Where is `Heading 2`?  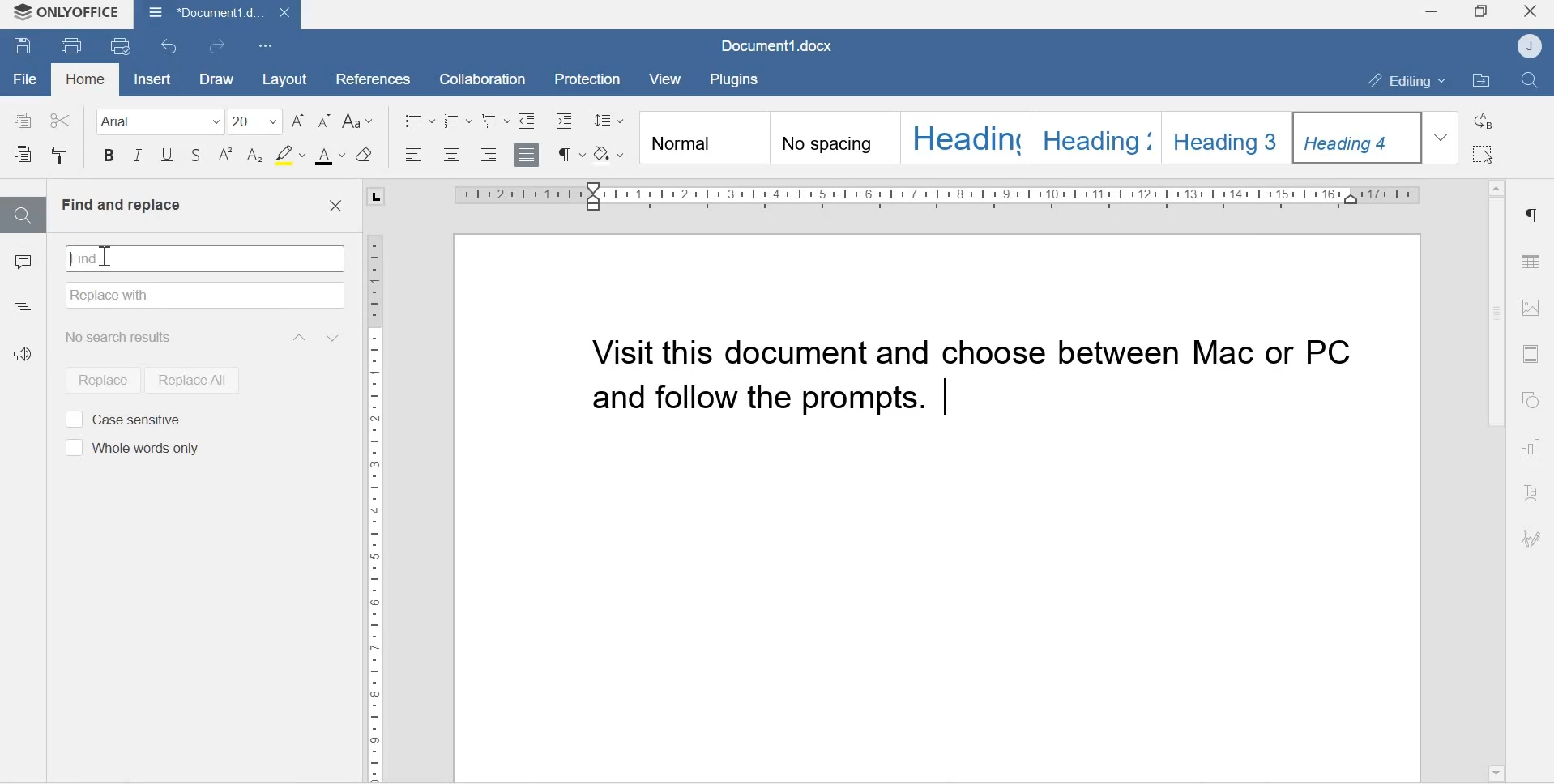 Heading 2 is located at coordinates (1098, 136).